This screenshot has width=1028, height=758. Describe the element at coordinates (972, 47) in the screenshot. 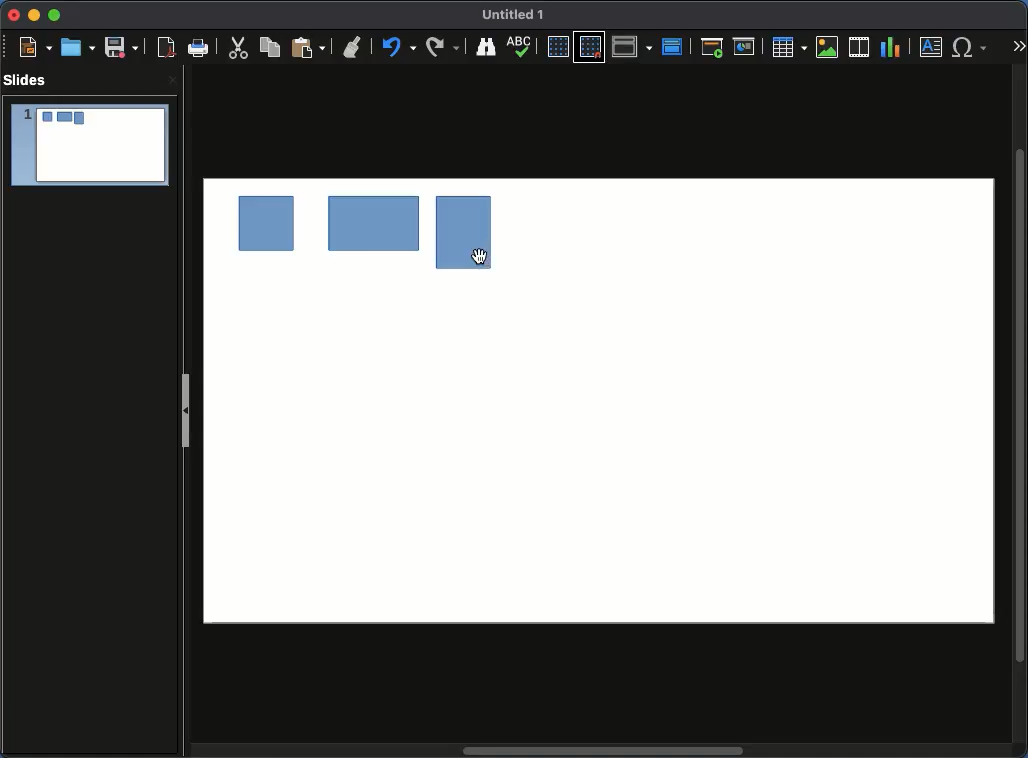

I see `Characters` at that location.